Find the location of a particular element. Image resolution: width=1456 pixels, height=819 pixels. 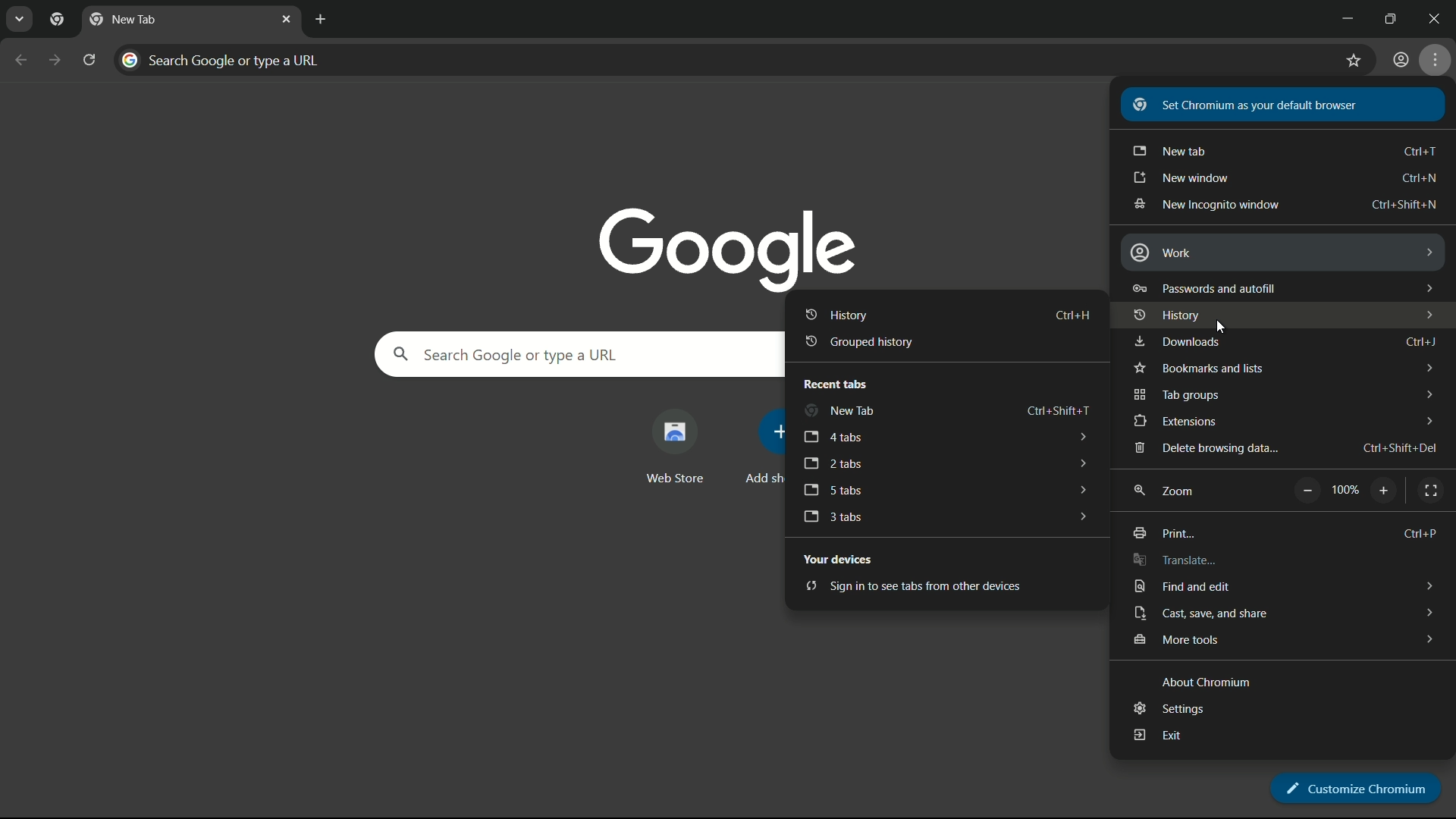

close app is located at coordinates (1438, 17).